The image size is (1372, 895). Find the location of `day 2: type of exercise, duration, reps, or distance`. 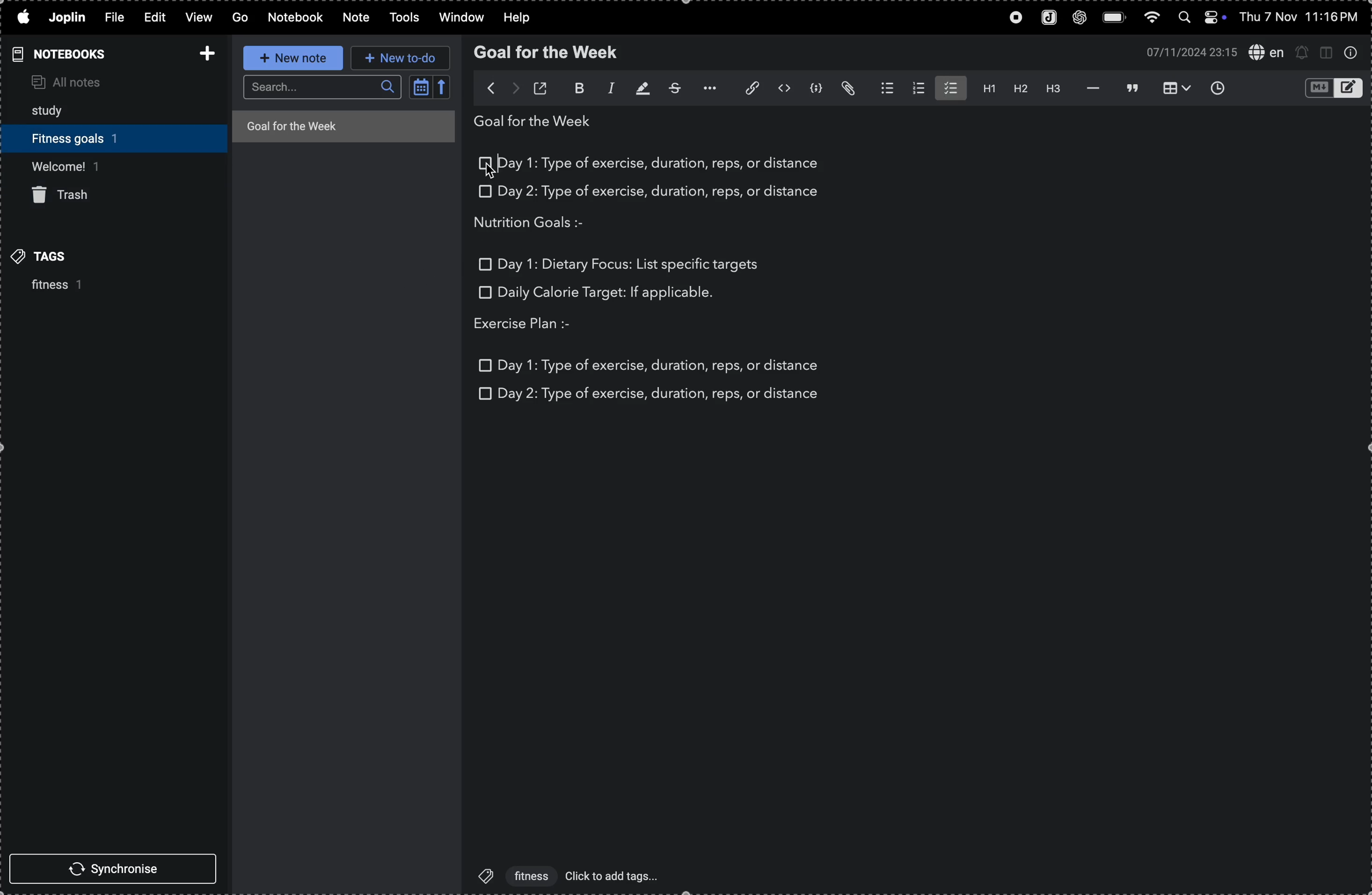

day 2: type of exercise, duration, reps, or distance is located at coordinates (661, 394).